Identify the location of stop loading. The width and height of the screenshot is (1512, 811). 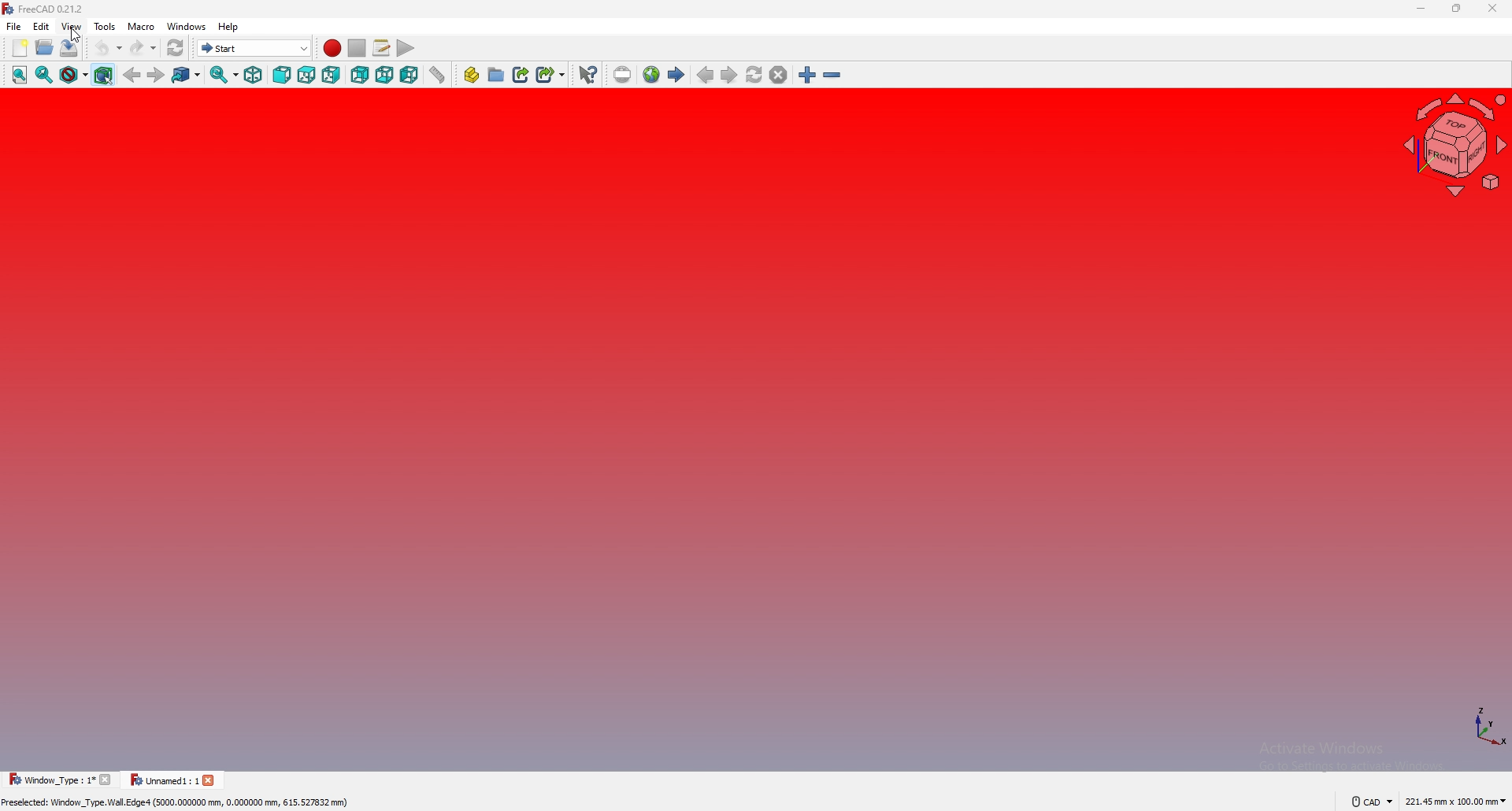
(777, 74).